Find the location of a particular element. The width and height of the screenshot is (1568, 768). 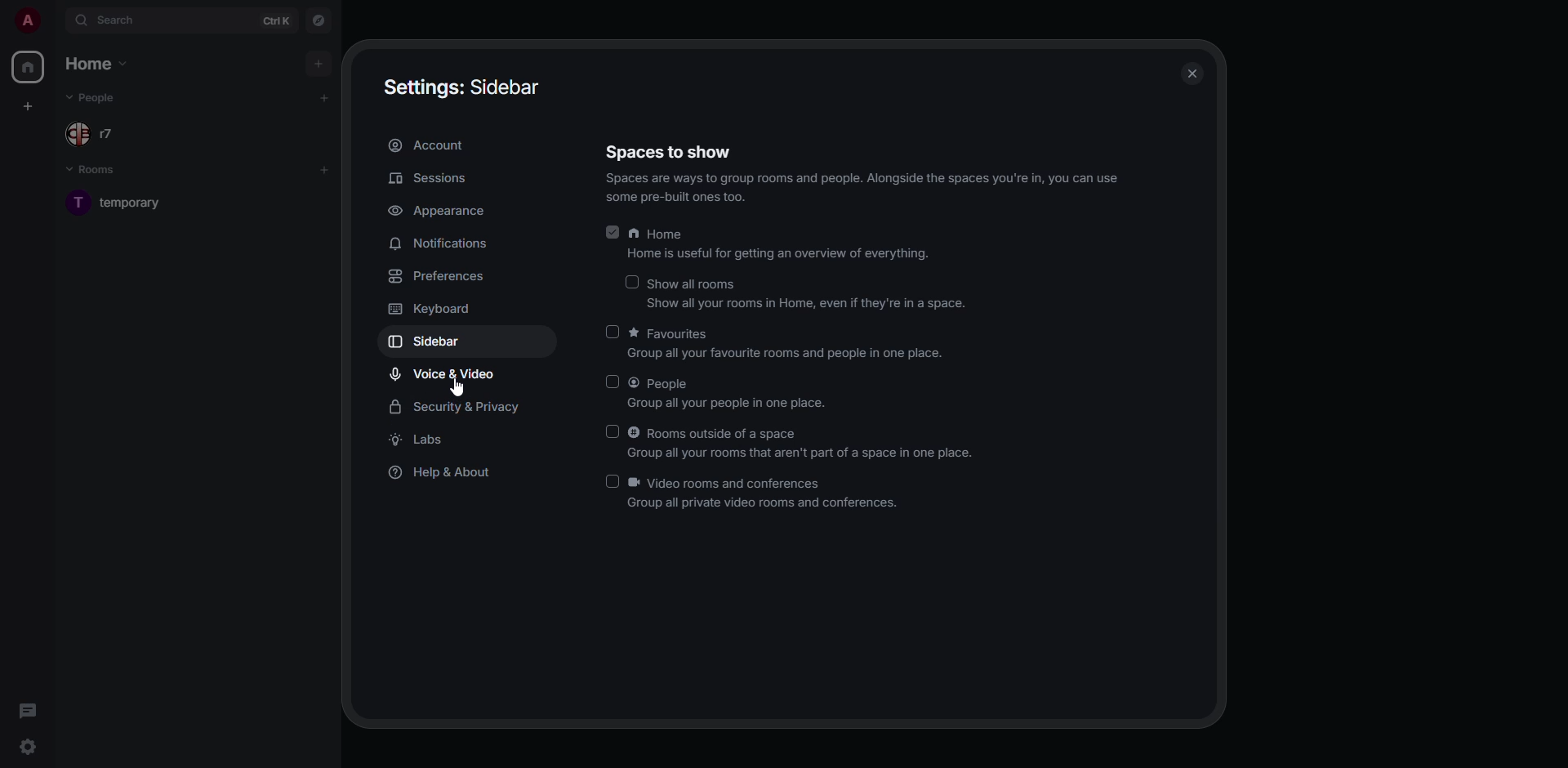

favorites is located at coordinates (786, 345).